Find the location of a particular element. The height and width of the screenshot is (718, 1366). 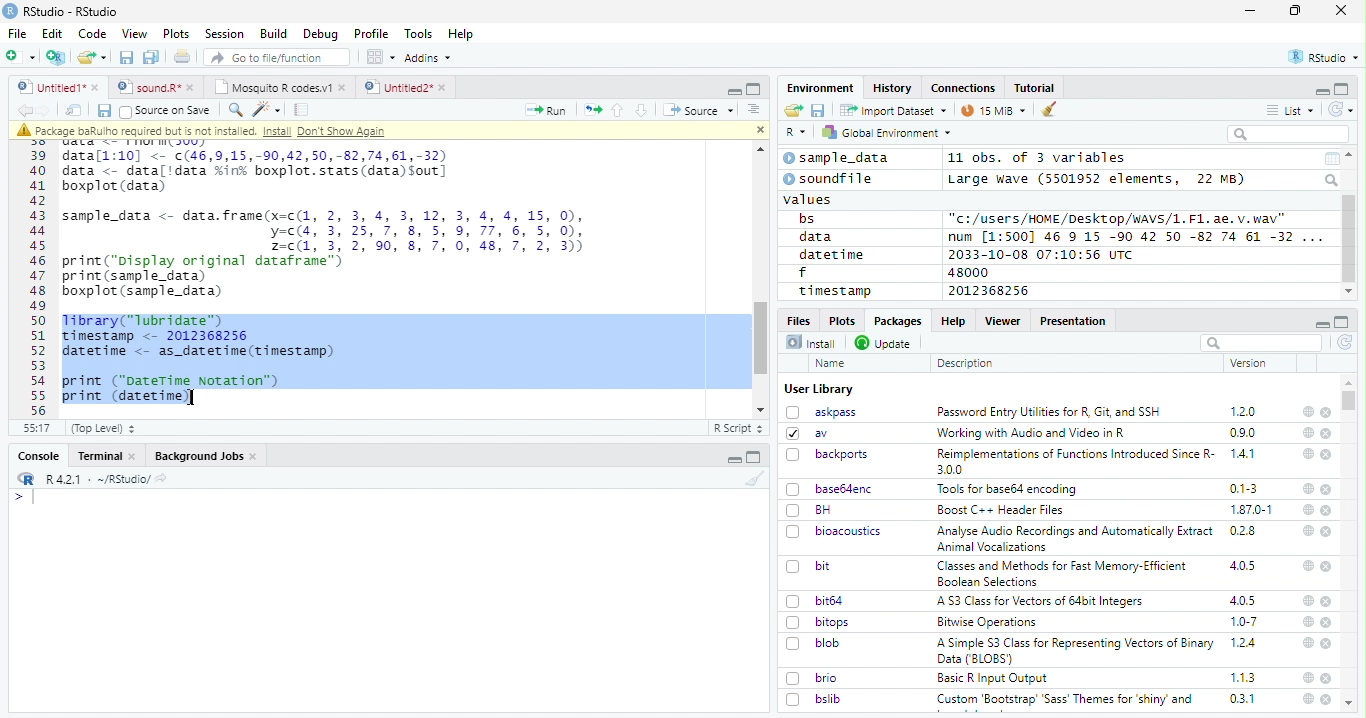

bioacoustics is located at coordinates (834, 531).